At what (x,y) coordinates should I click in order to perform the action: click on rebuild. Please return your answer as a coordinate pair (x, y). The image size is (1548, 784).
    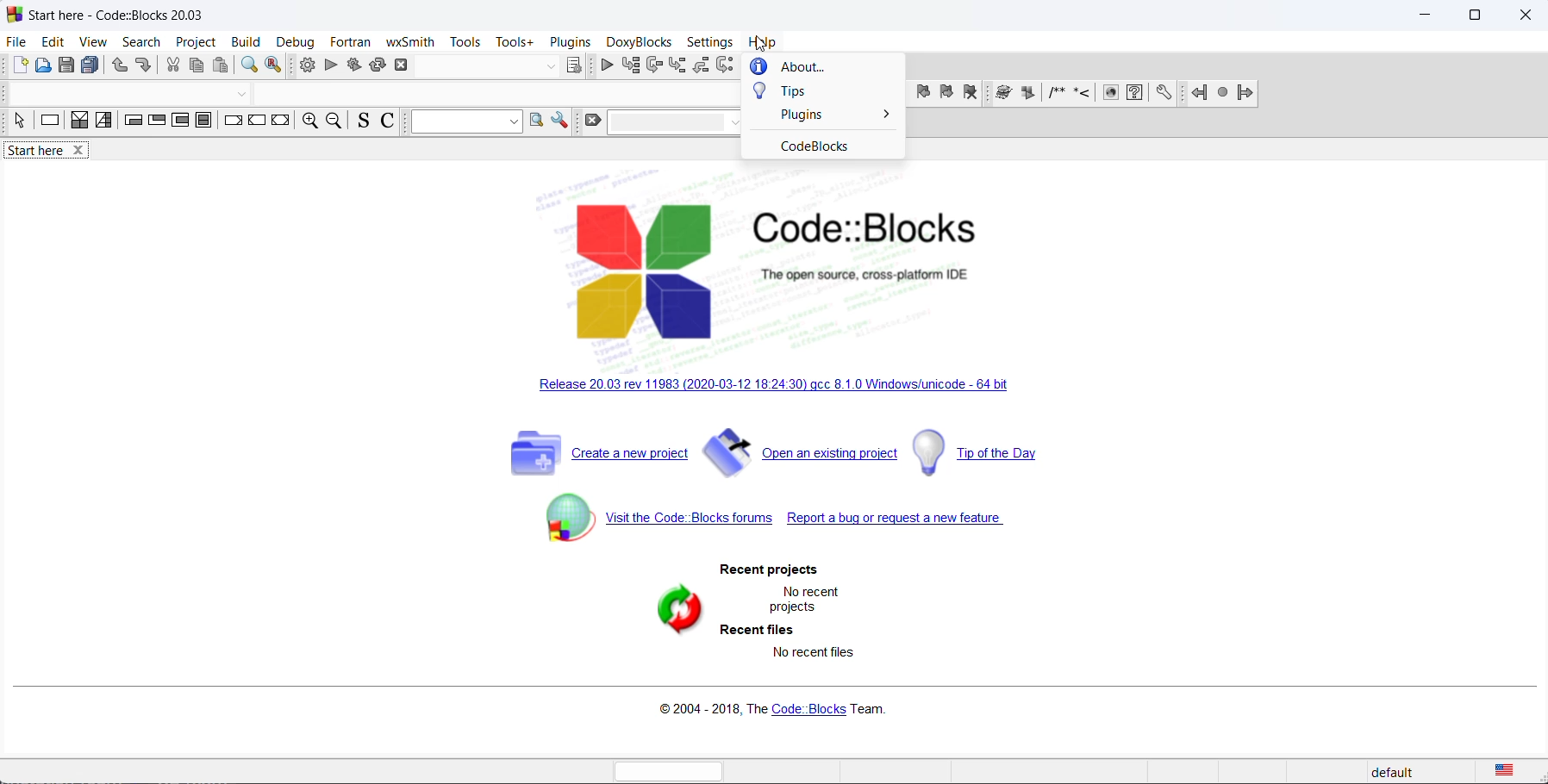
    Looking at the image, I should click on (377, 67).